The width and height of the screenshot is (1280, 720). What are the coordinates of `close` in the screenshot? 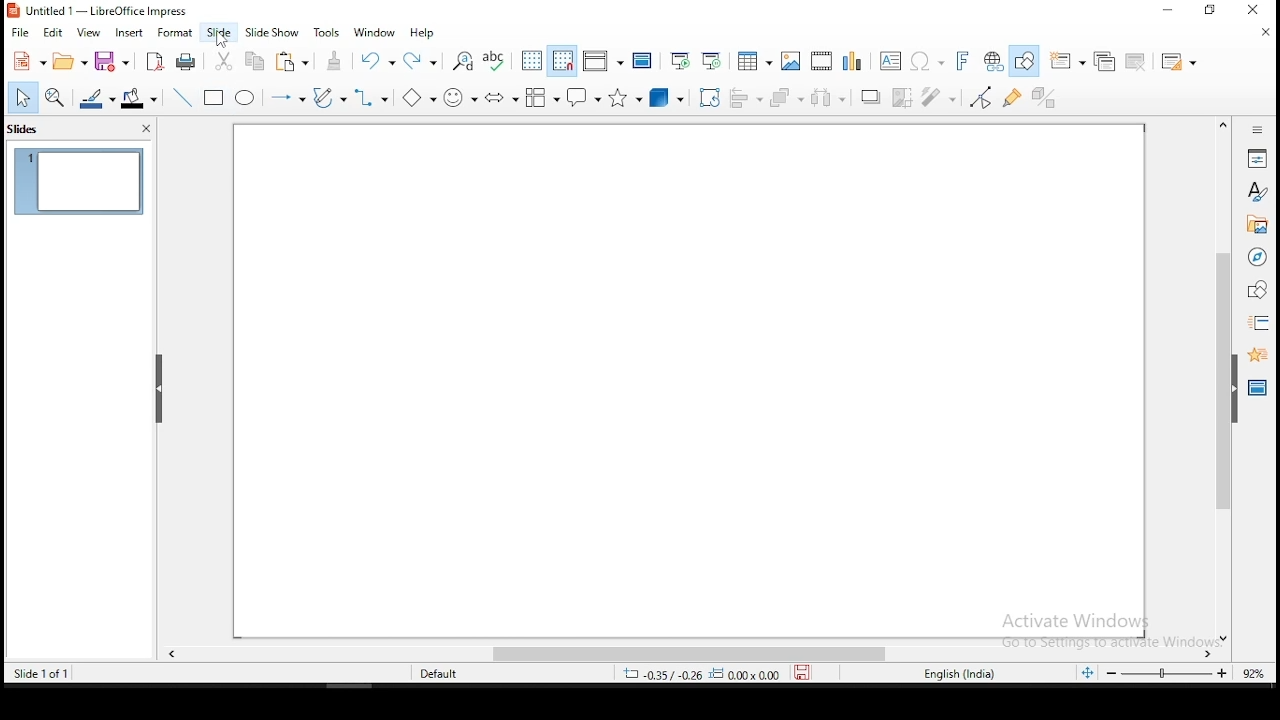 It's located at (1264, 31).